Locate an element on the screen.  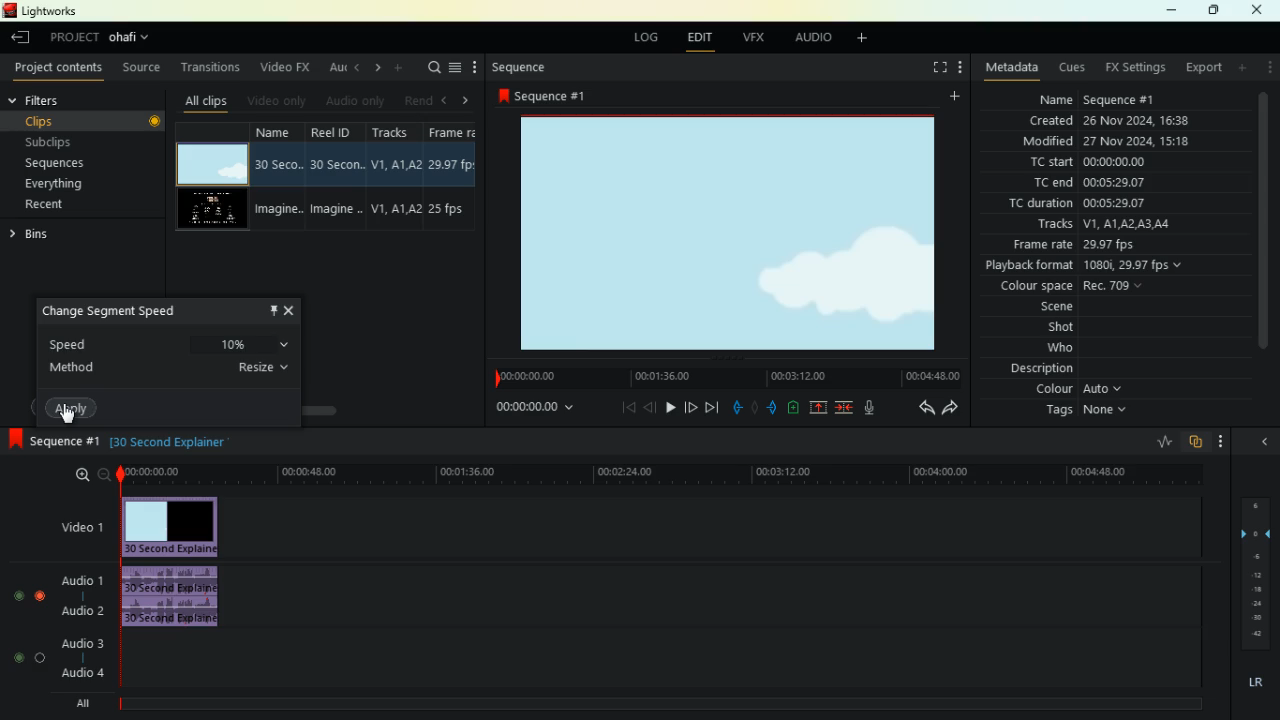
audio only is located at coordinates (356, 100).